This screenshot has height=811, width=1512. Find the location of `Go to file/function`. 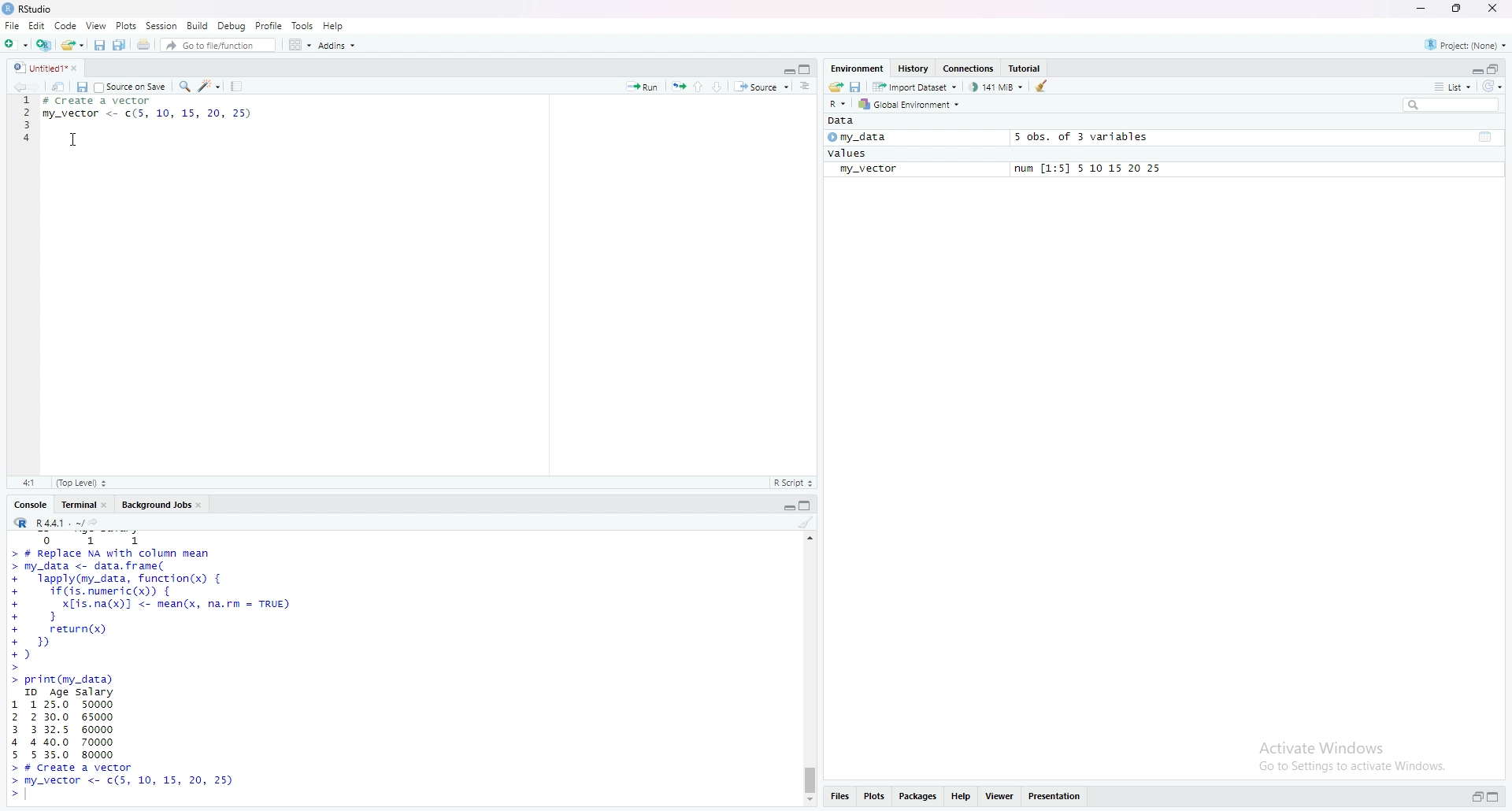

Go to file/function is located at coordinates (217, 46).